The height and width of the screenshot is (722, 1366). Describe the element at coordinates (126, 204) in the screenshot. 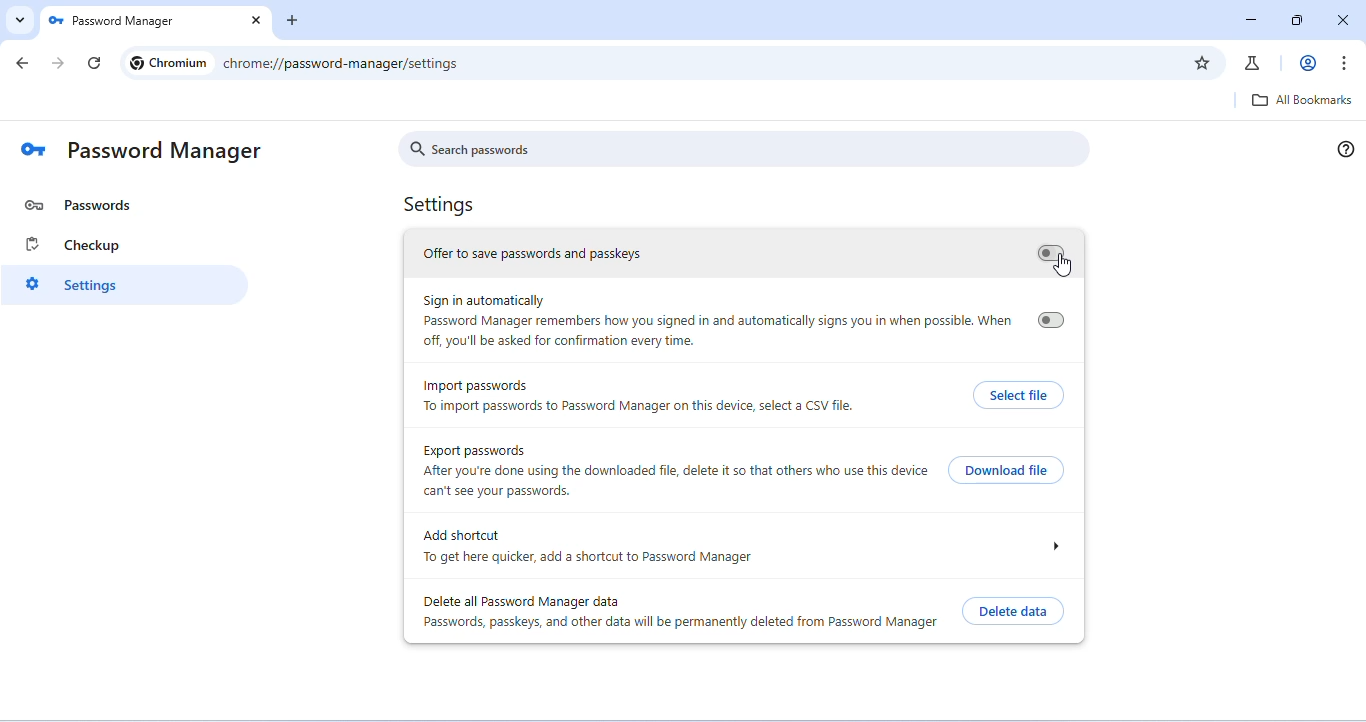

I see `password` at that location.